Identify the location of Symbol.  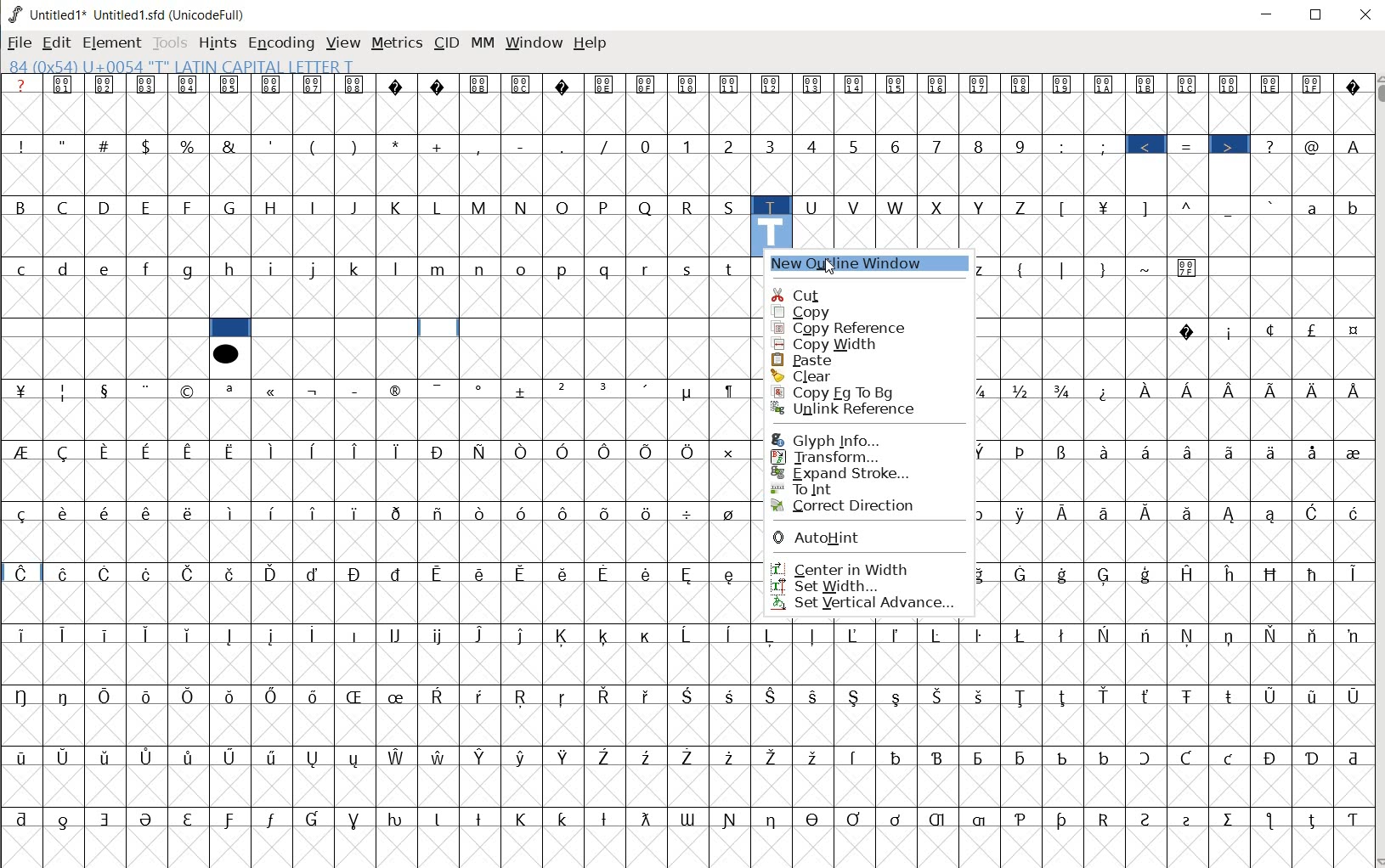
(1190, 392).